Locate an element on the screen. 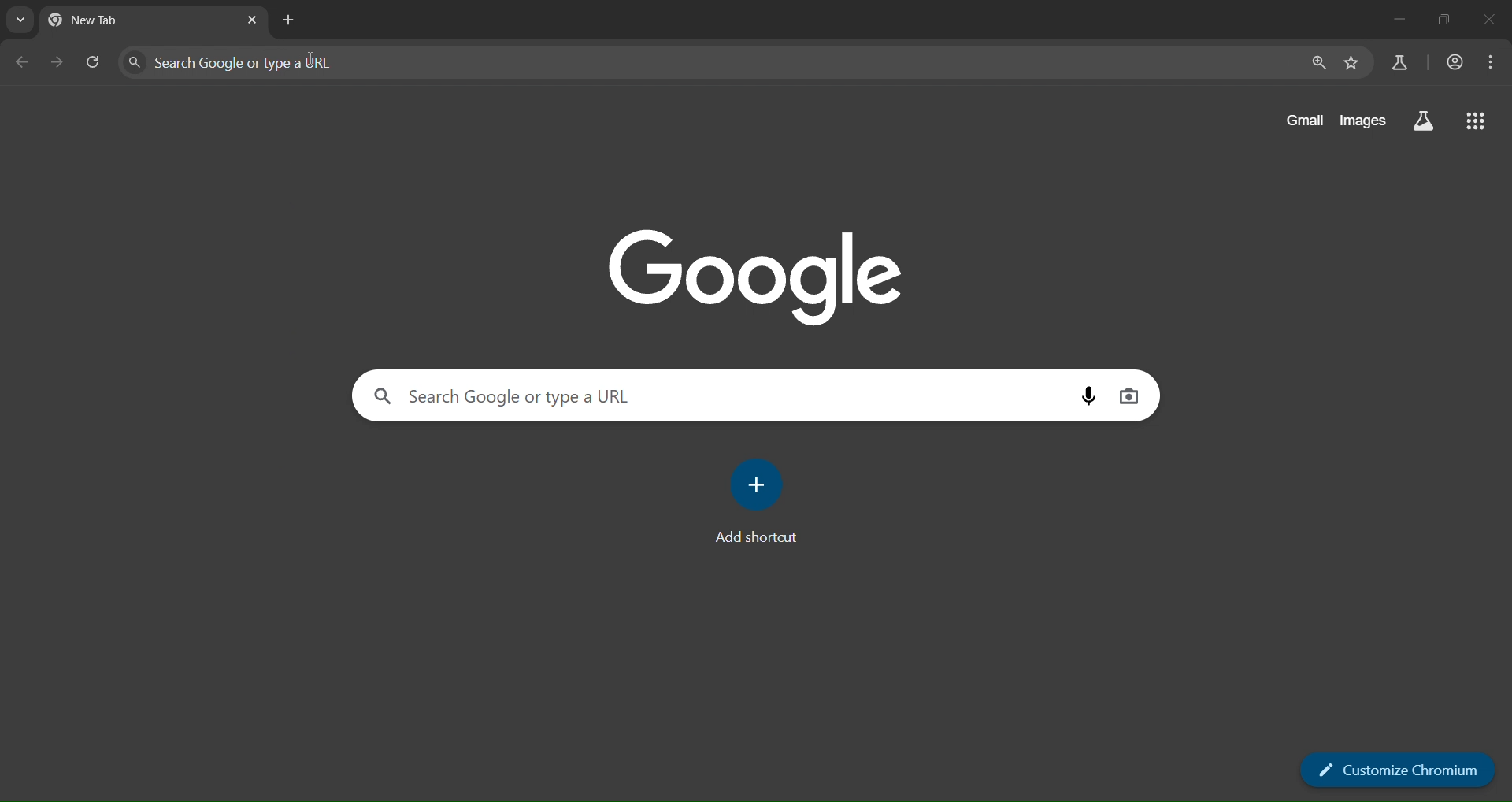 The image size is (1512, 802). google apps is located at coordinates (1473, 121).